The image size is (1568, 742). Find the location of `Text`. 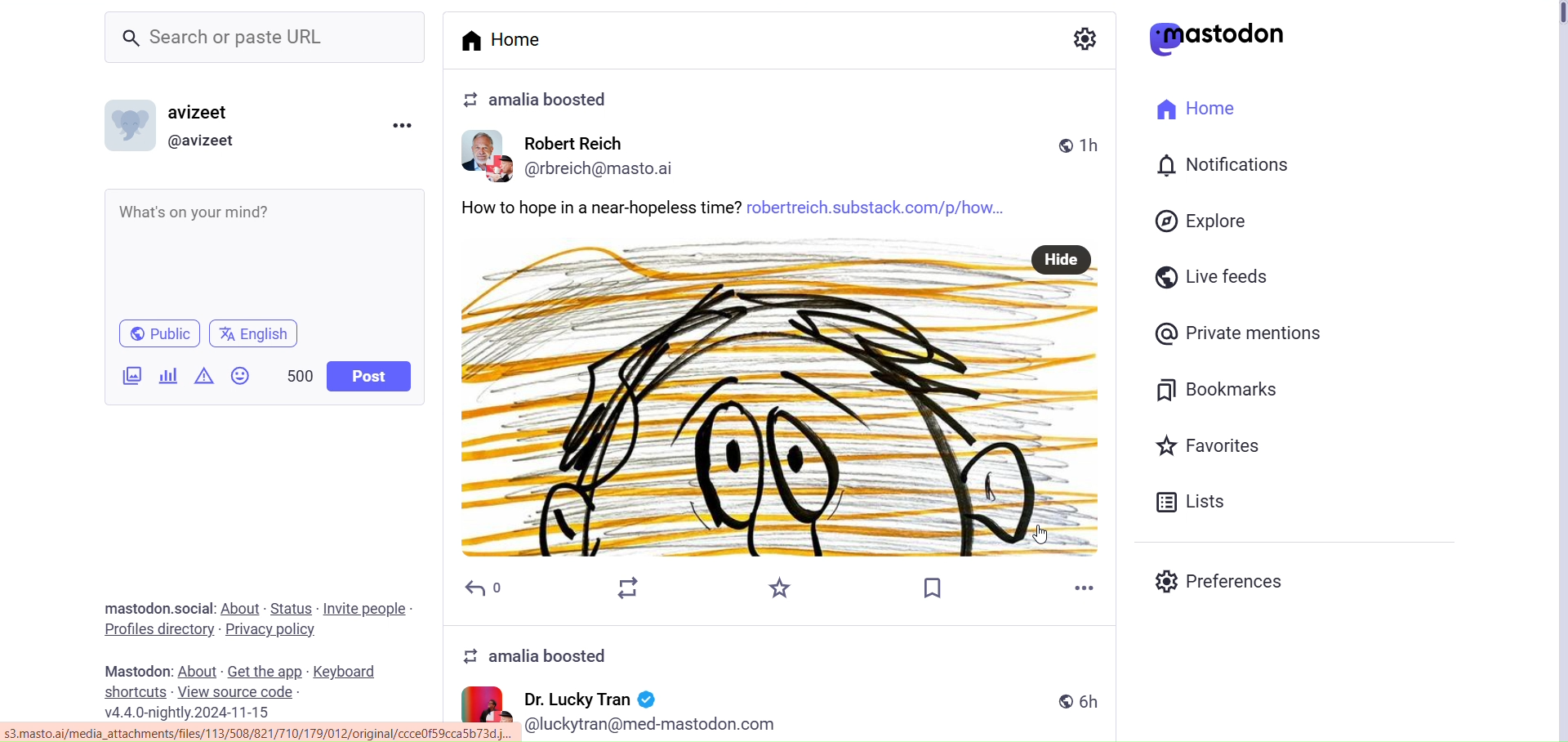

Text is located at coordinates (780, 652).